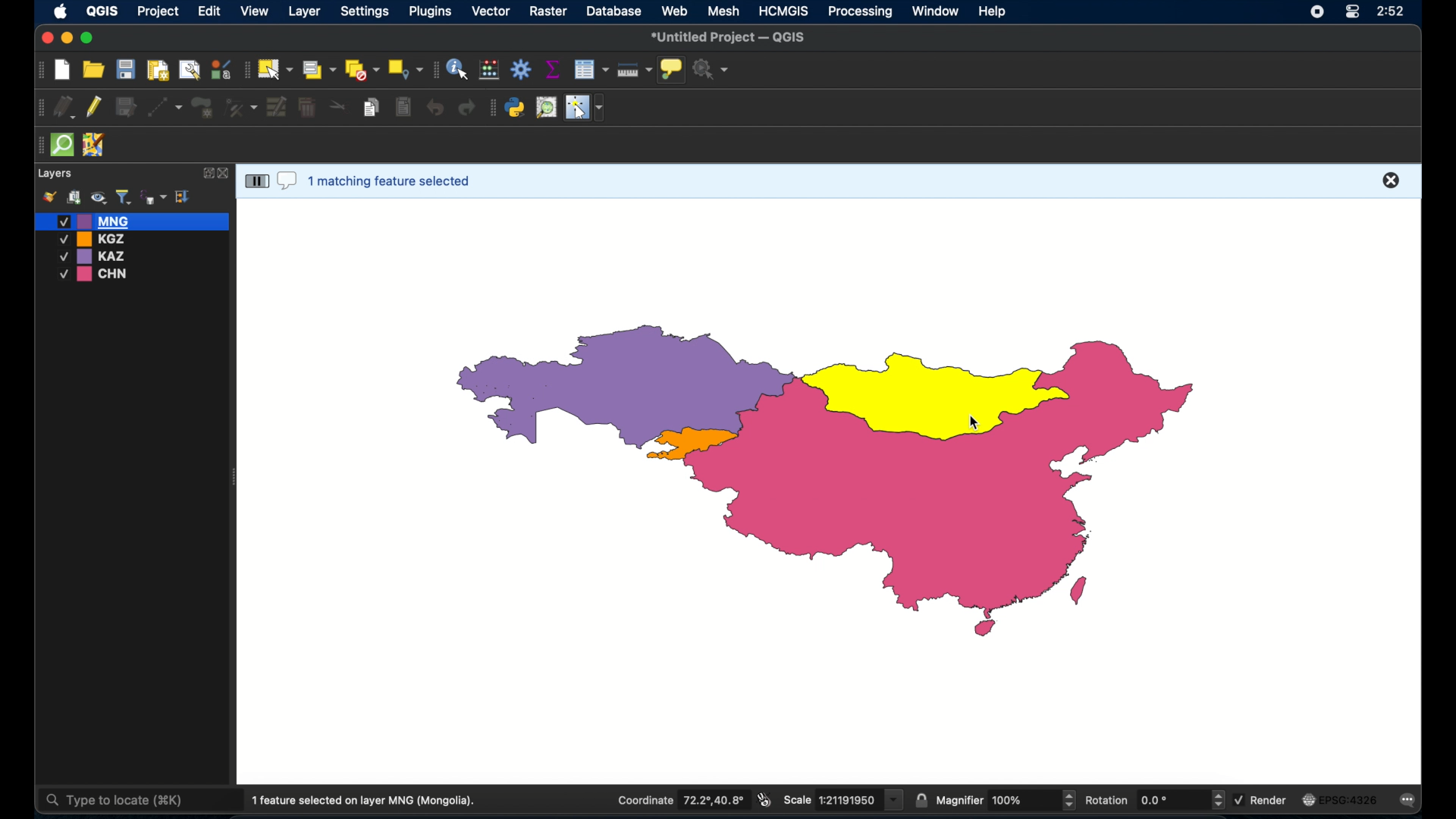 This screenshot has width=1456, height=819. I want to click on feature selected by attribute, so click(929, 391).